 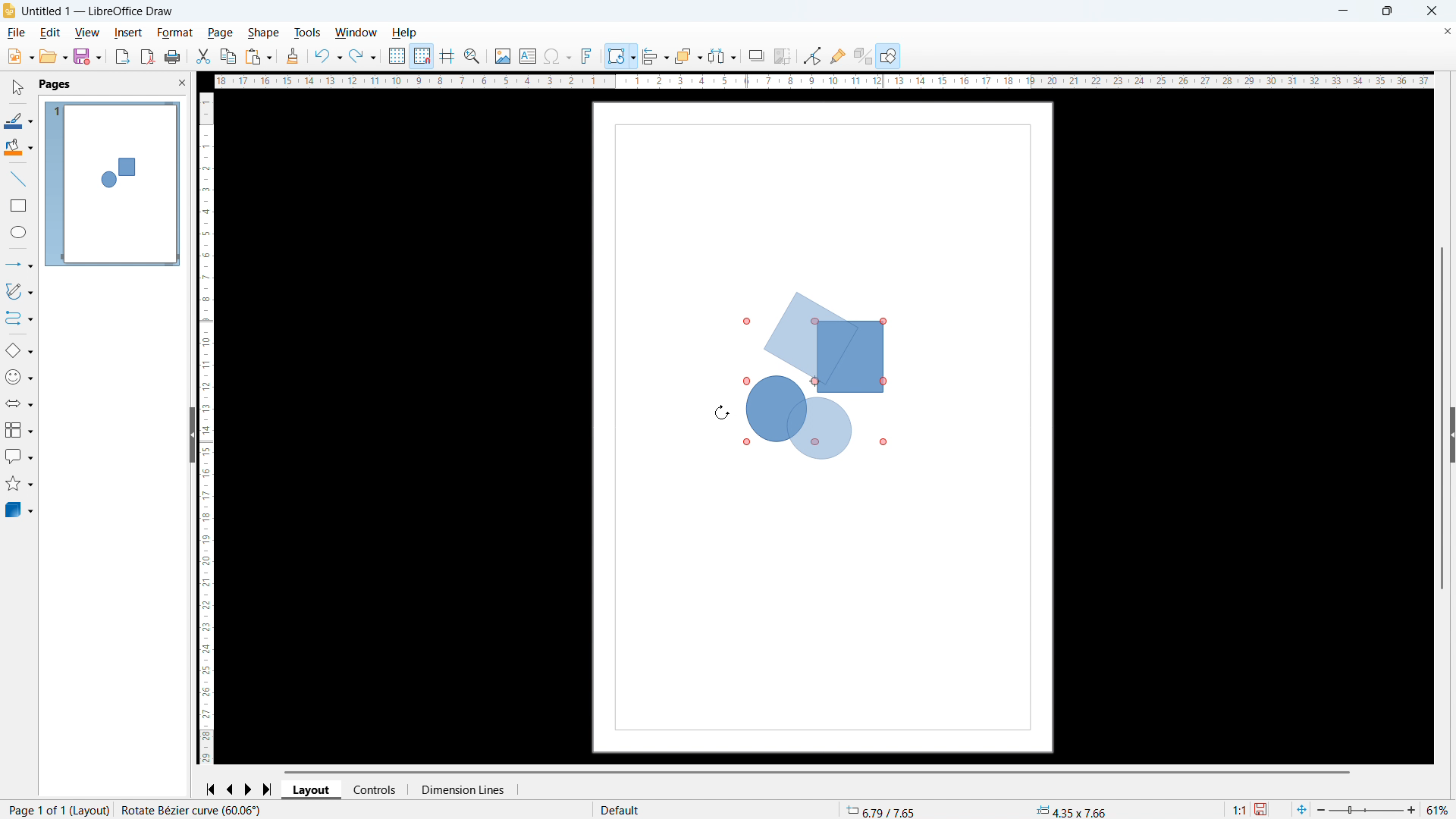 What do you see at coordinates (528, 56) in the screenshot?
I see `Insert text box ` at bounding box center [528, 56].